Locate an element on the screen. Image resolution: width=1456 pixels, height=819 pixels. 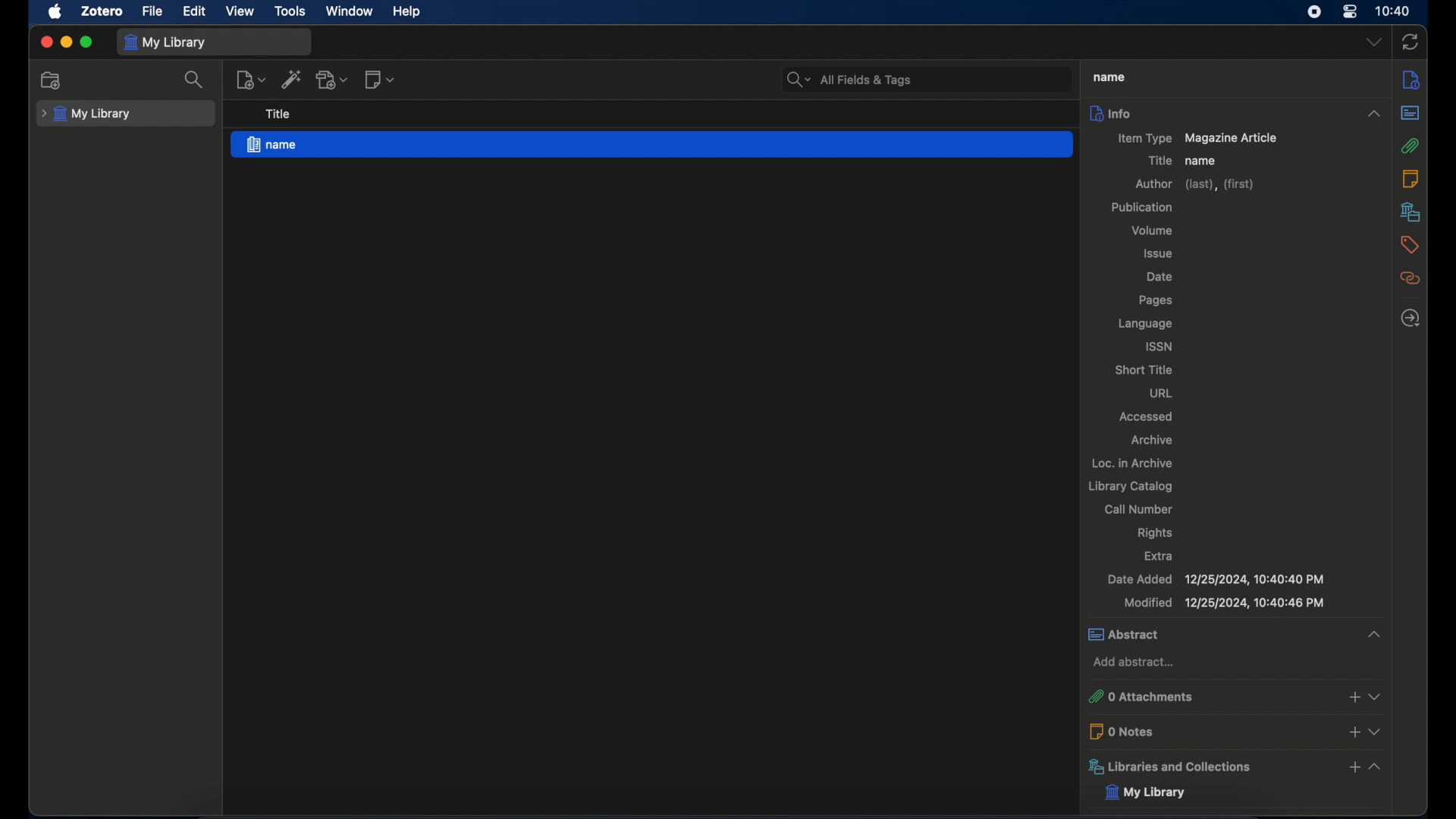
time is located at coordinates (1394, 10).